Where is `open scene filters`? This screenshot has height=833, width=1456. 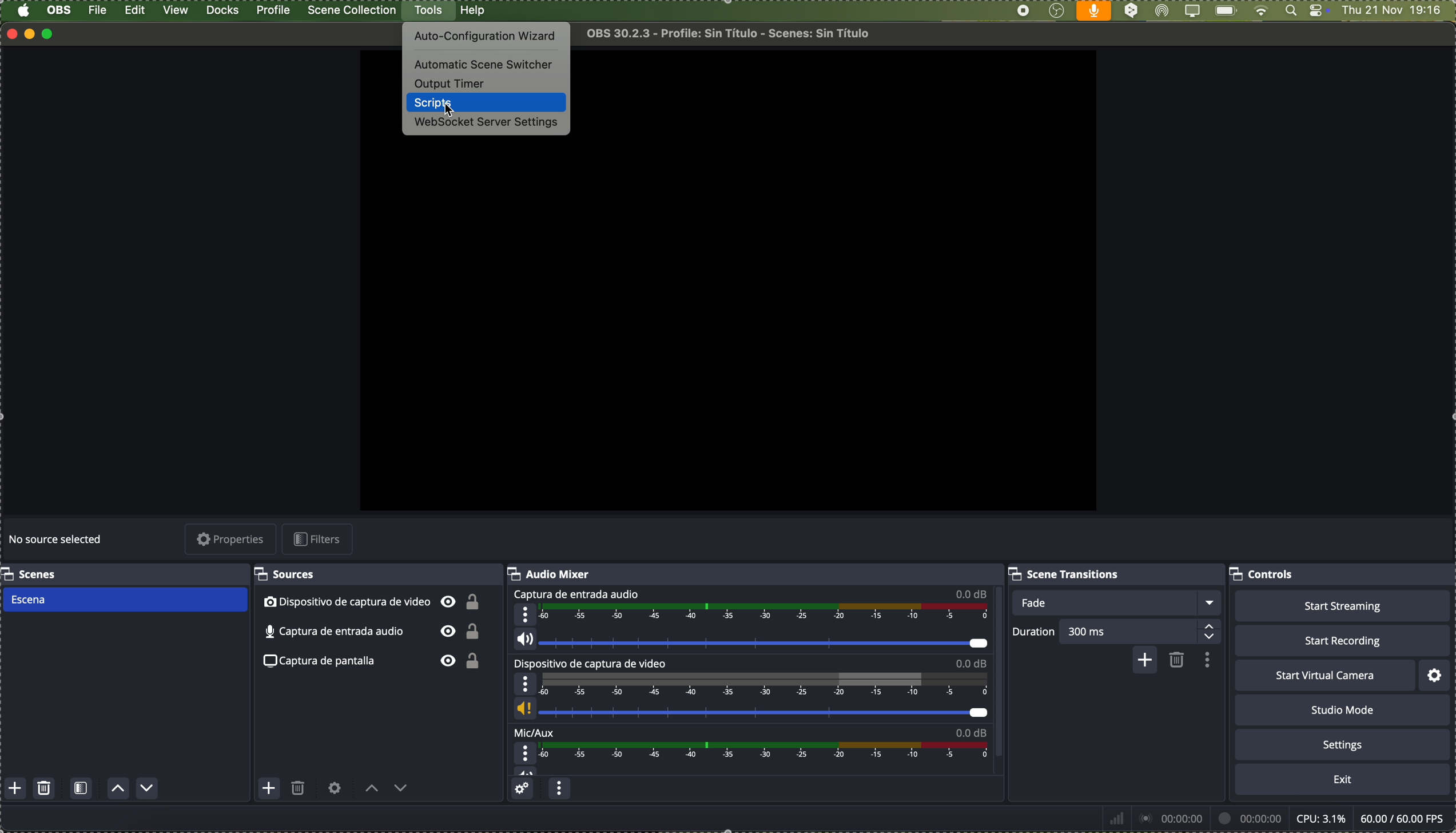 open scene filters is located at coordinates (81, 790).